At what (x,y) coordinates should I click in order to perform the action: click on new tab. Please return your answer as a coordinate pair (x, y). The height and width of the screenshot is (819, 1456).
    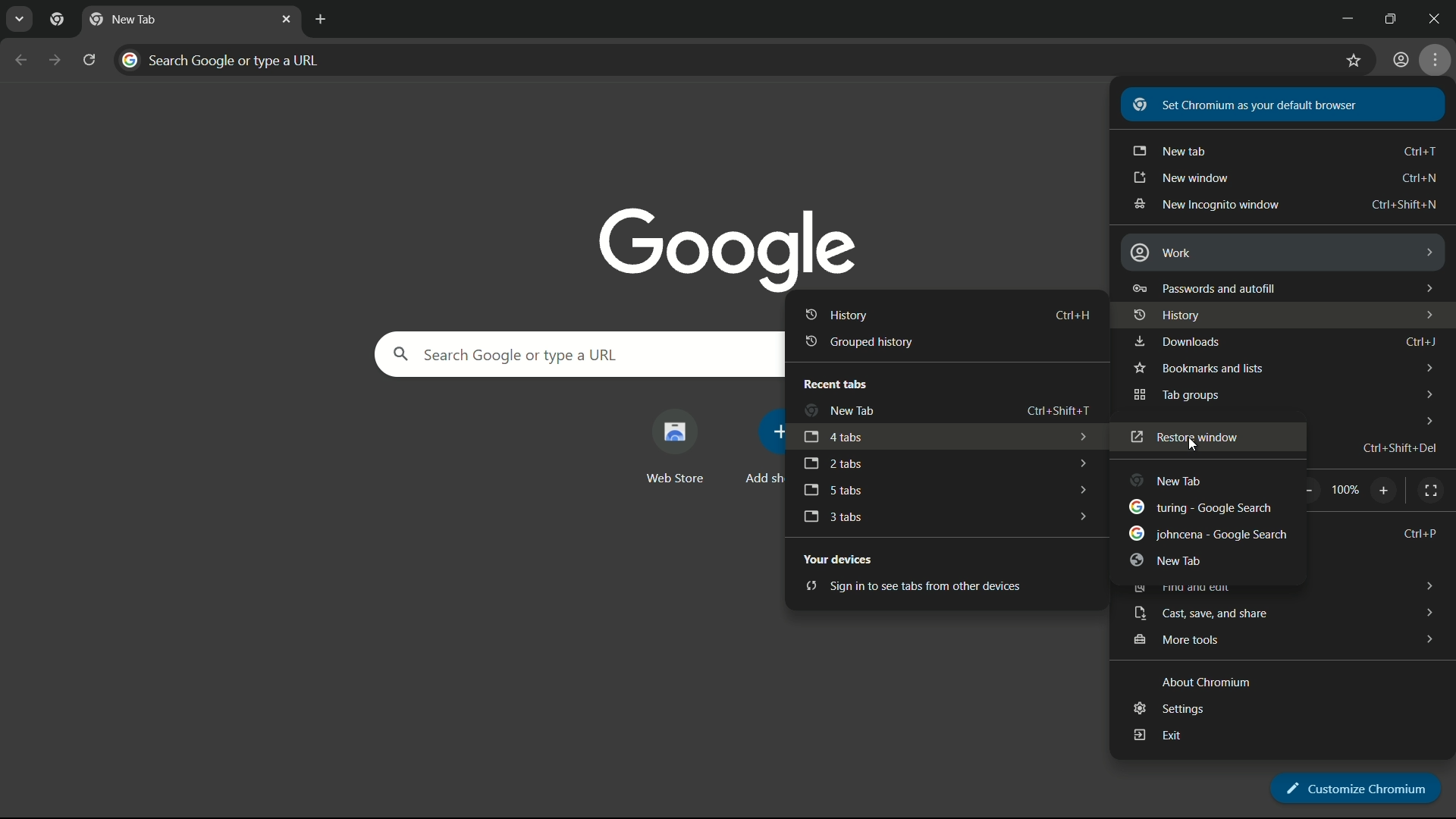
    Looking at the image, I should click on (123, 20).